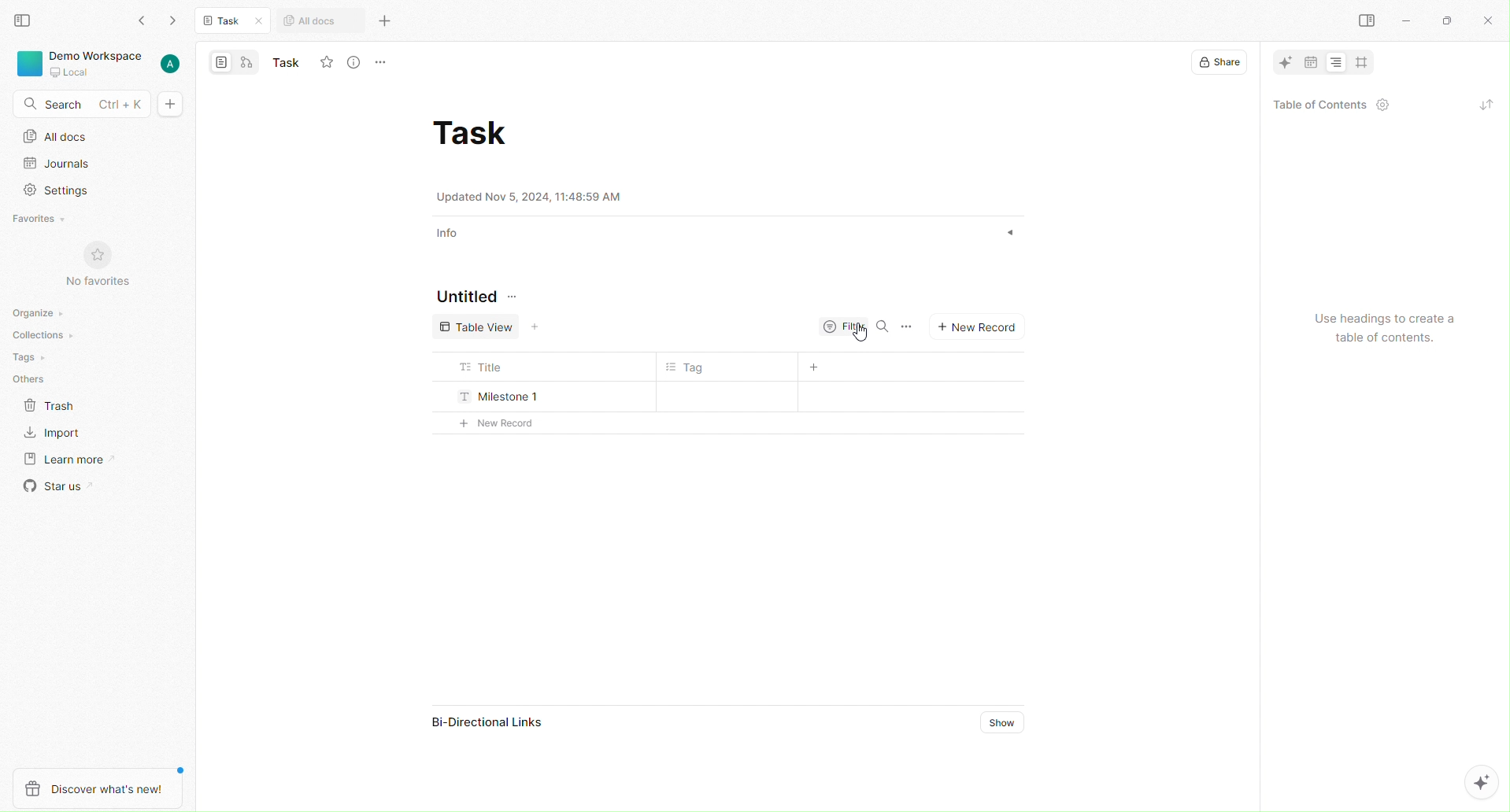 Image resolution: width=1510 pixels, height=812 pixels. I want to click on Title, so click(487, 368).